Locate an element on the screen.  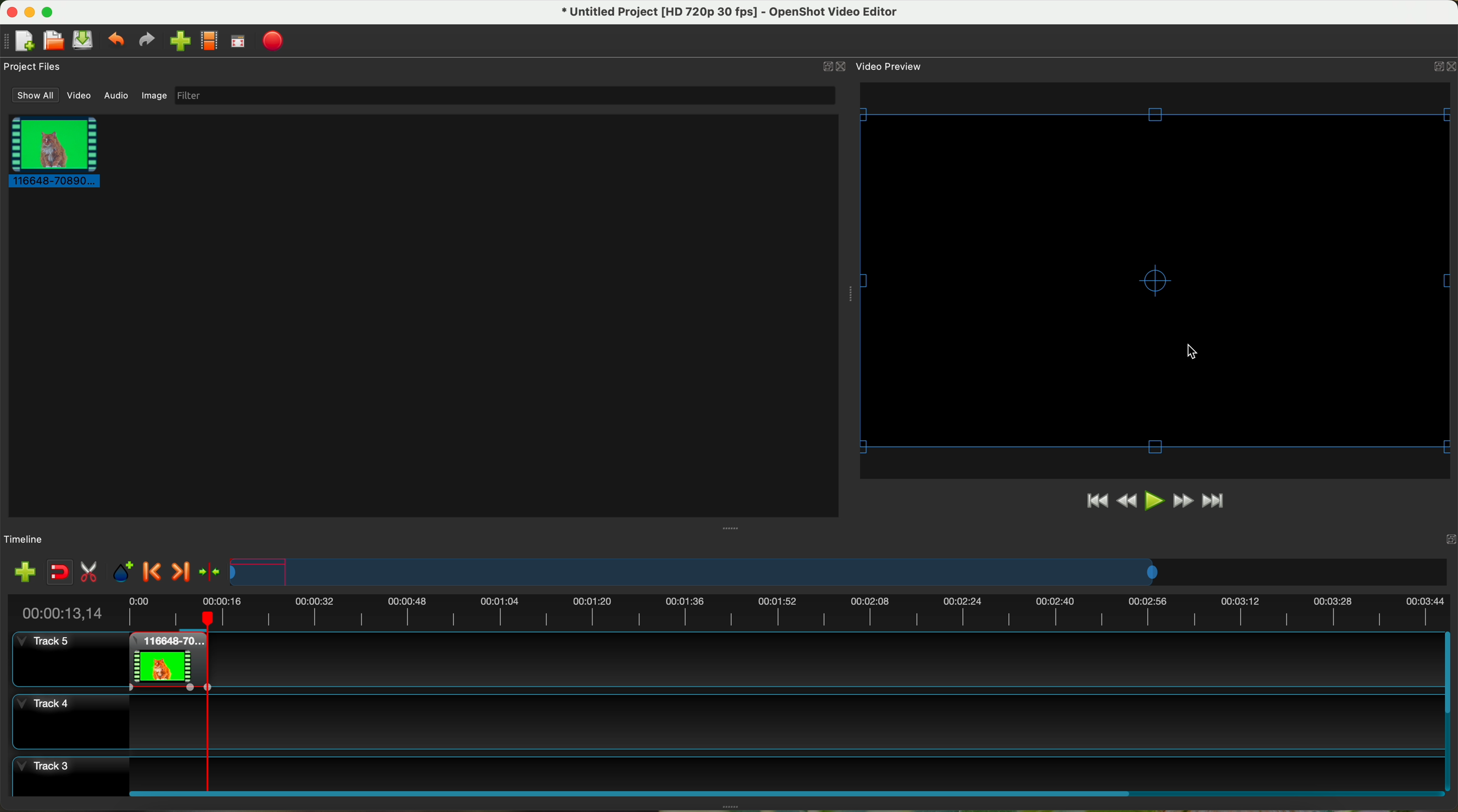
import files is located at coordinates (24, 573).